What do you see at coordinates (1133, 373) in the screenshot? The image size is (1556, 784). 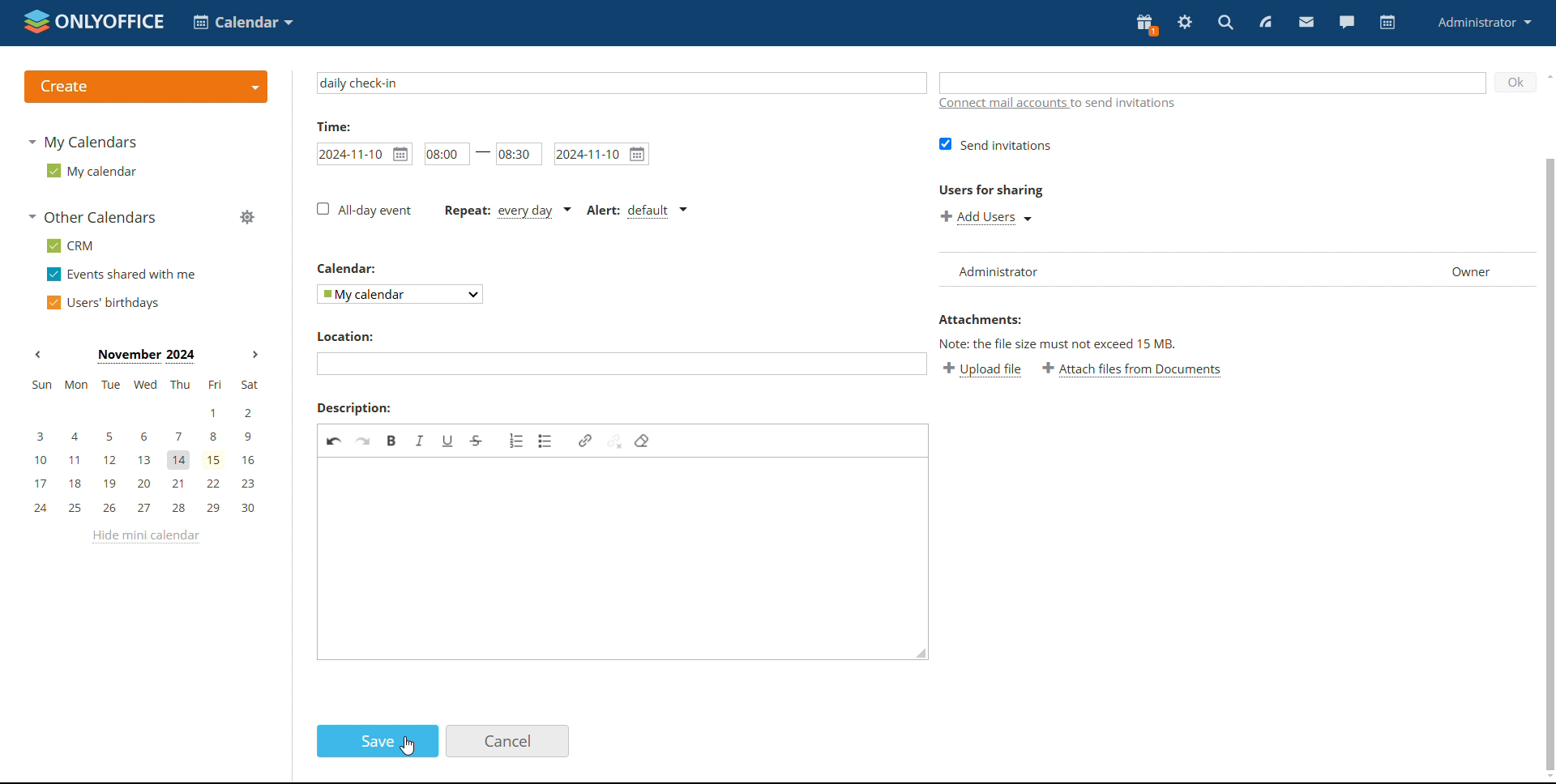 I see `attach files from documents` at bounding box center [1133, 373].